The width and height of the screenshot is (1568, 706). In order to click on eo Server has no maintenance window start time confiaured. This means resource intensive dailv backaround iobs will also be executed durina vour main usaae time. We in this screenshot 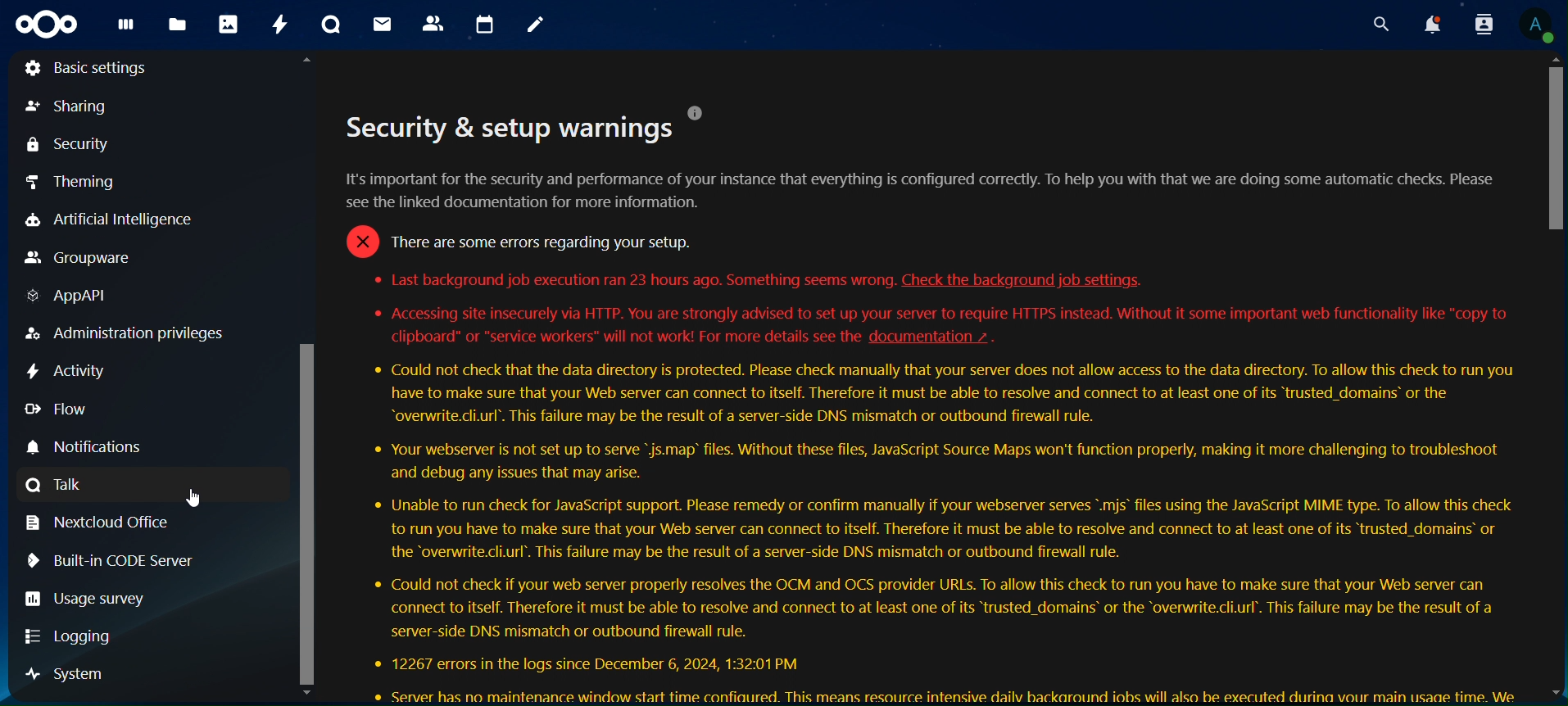, I will do `click(945, 694)`.